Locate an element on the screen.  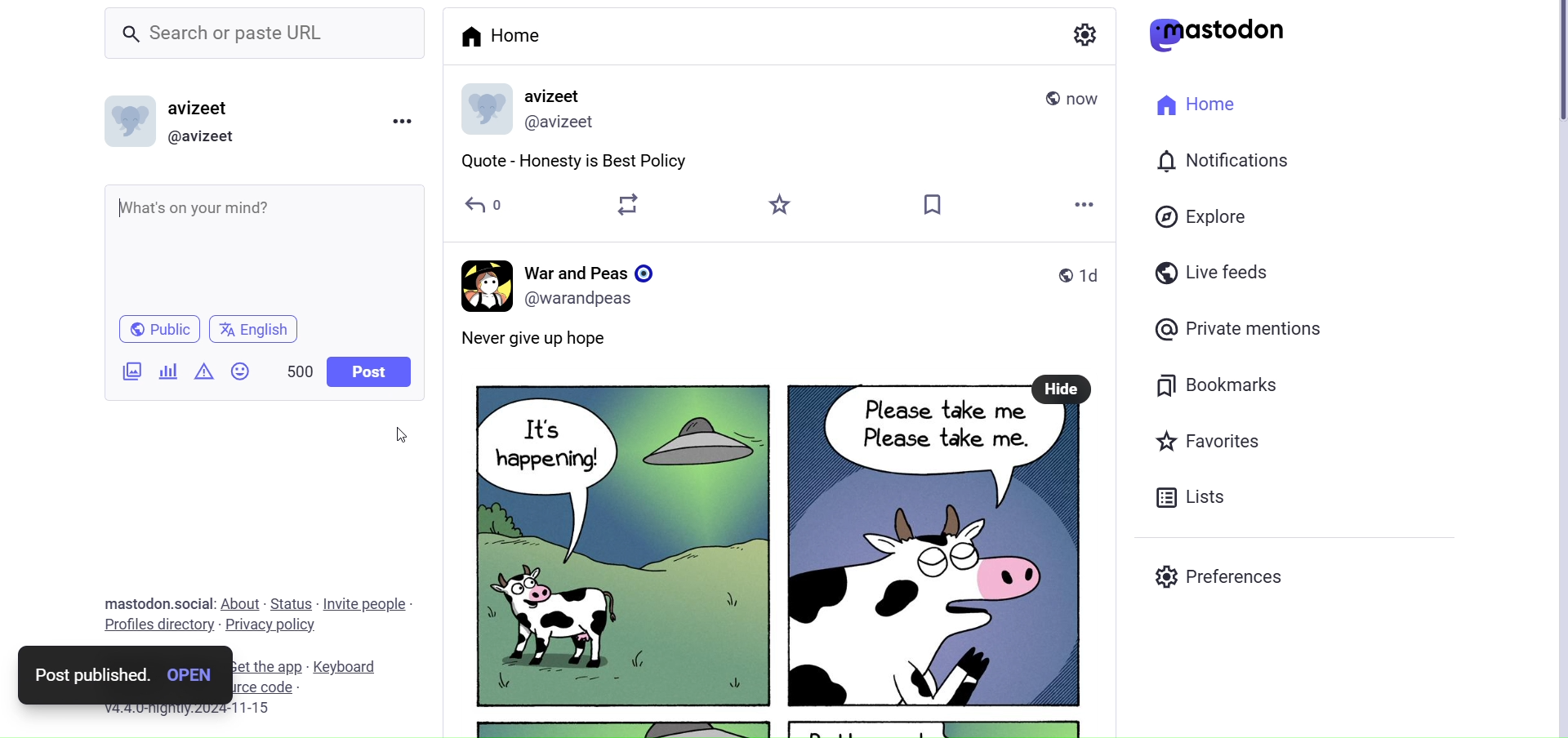
Search or paste URL is located at coordinates (248, 32).